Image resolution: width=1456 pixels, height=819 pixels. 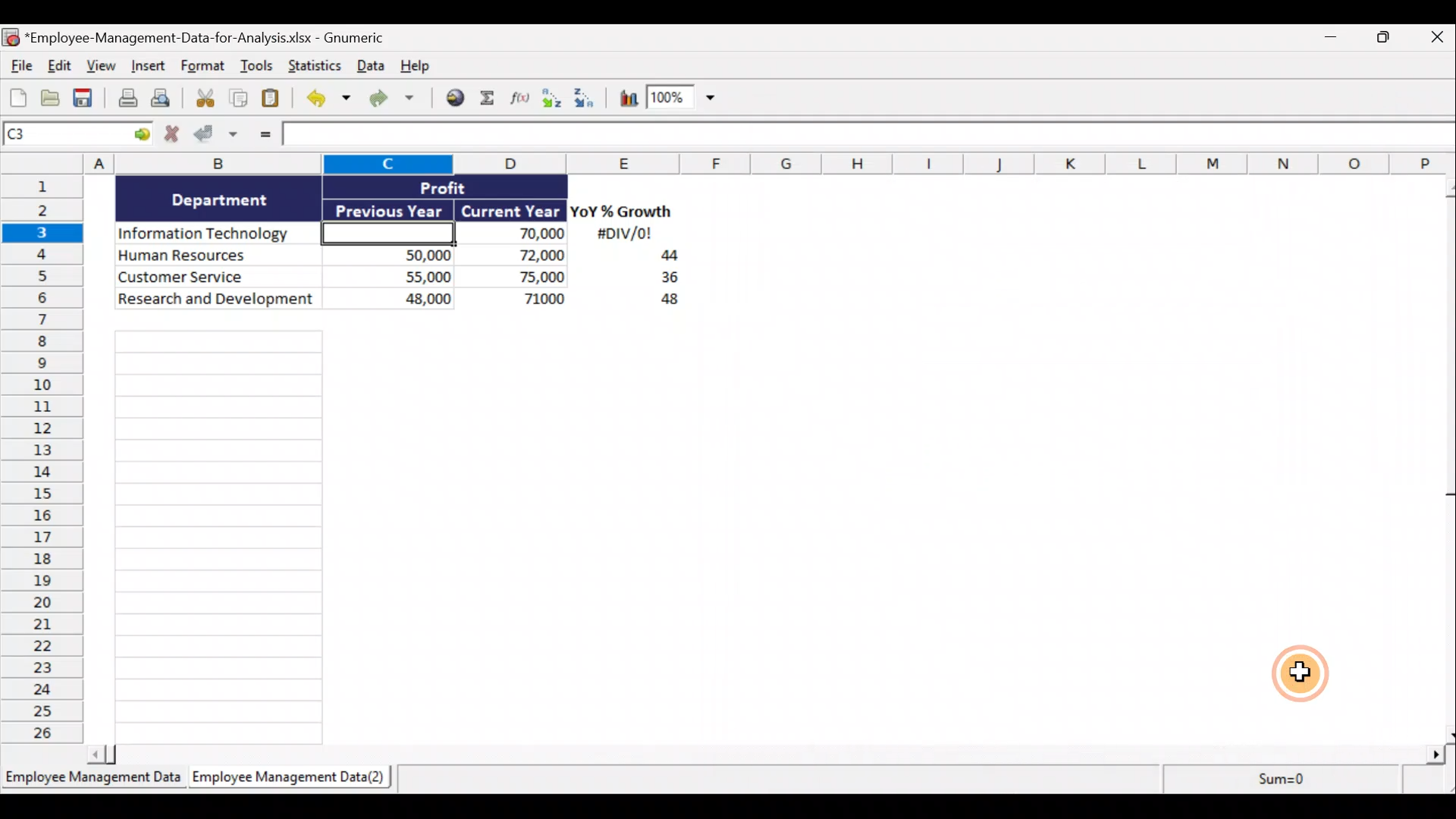 What do you see at coordinates (390, 208) in the screenshot?
I see `Previous Year` at bounding box center [390, 208].